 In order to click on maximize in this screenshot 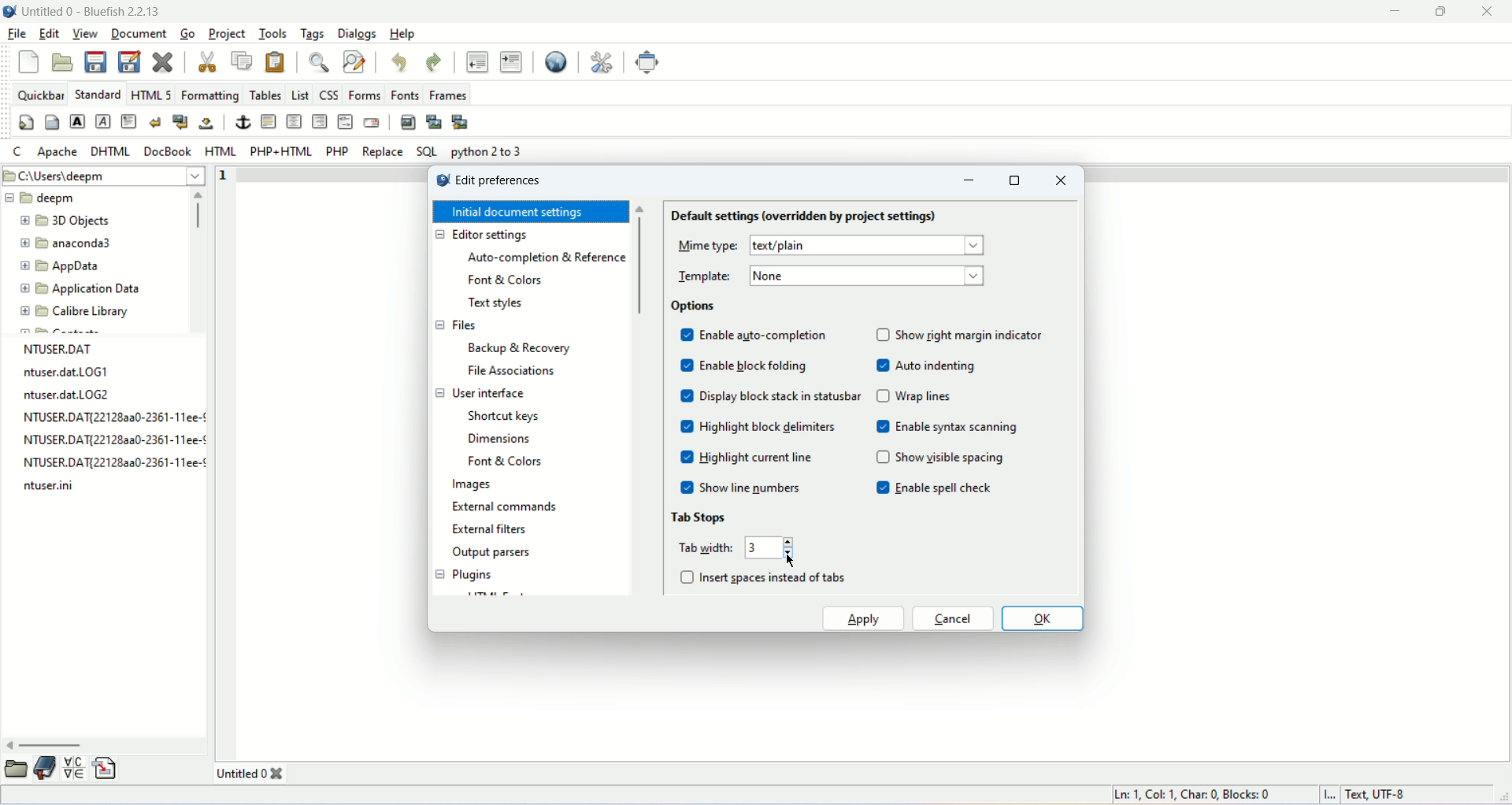, I will do `click(1017, 180)`.